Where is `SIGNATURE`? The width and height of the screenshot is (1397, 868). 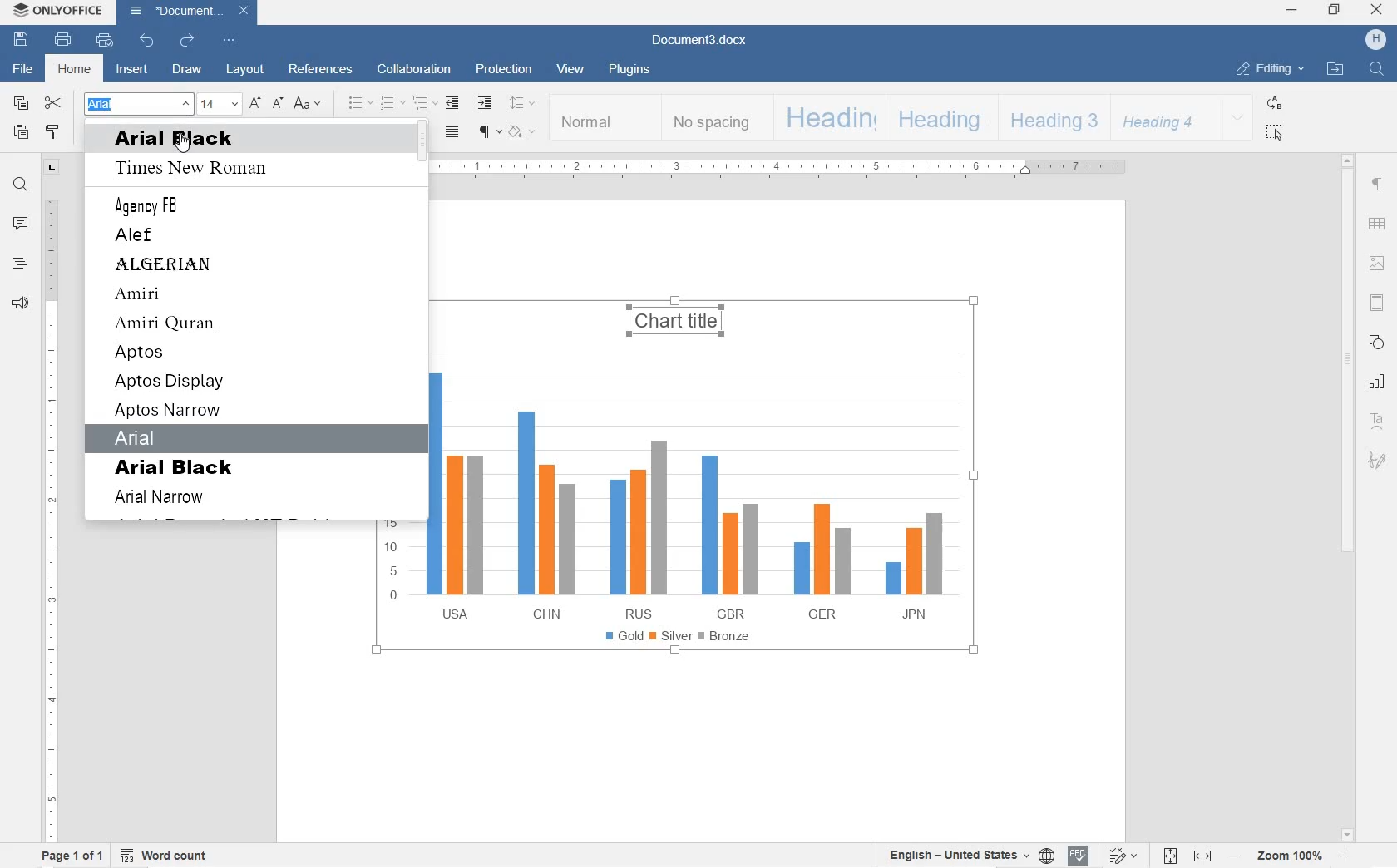 SIGNATURE is located at coordinates (1377, 462).